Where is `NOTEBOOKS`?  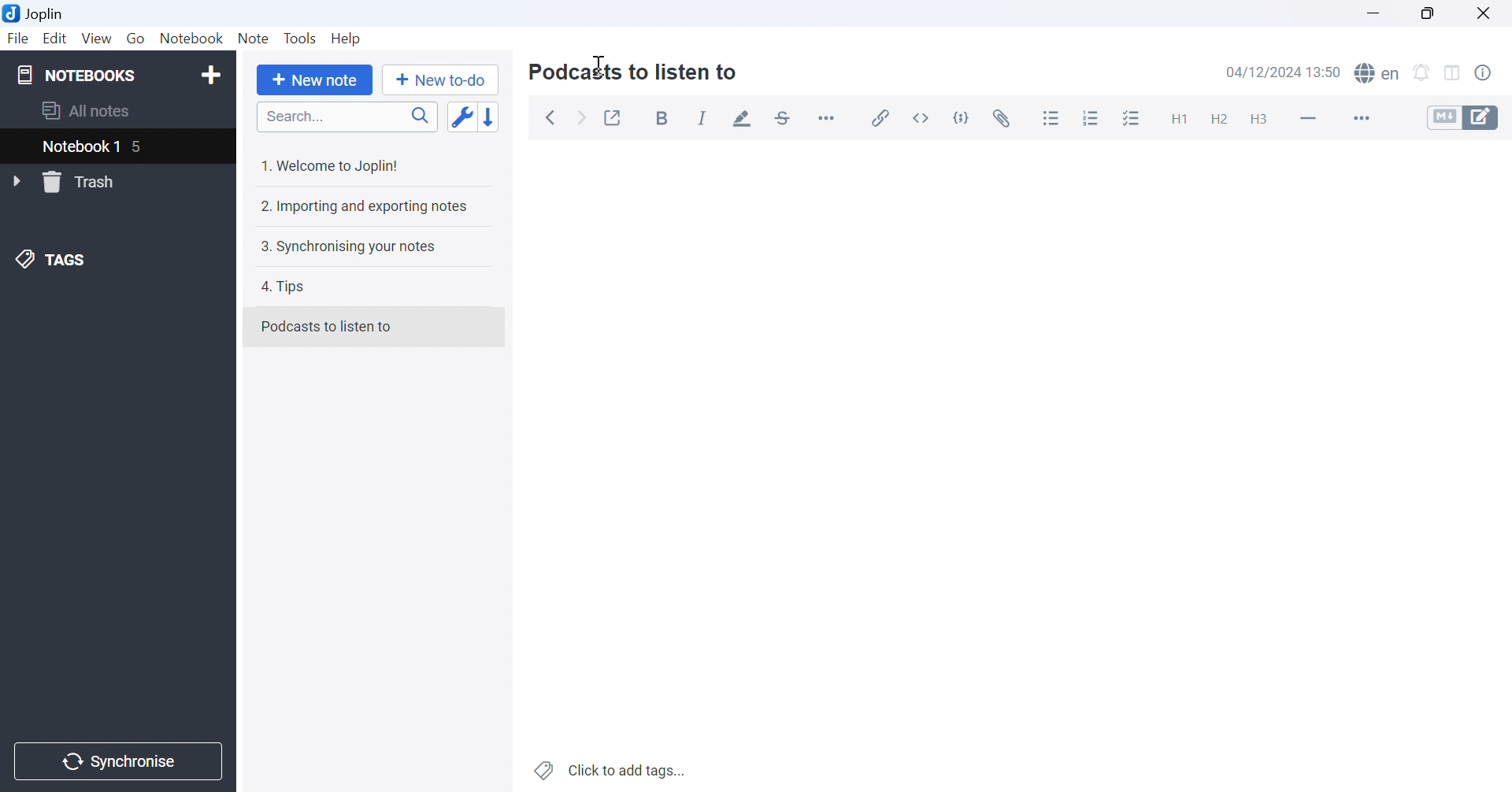 NOTEBOOKS is located at coordinates (76, 73).